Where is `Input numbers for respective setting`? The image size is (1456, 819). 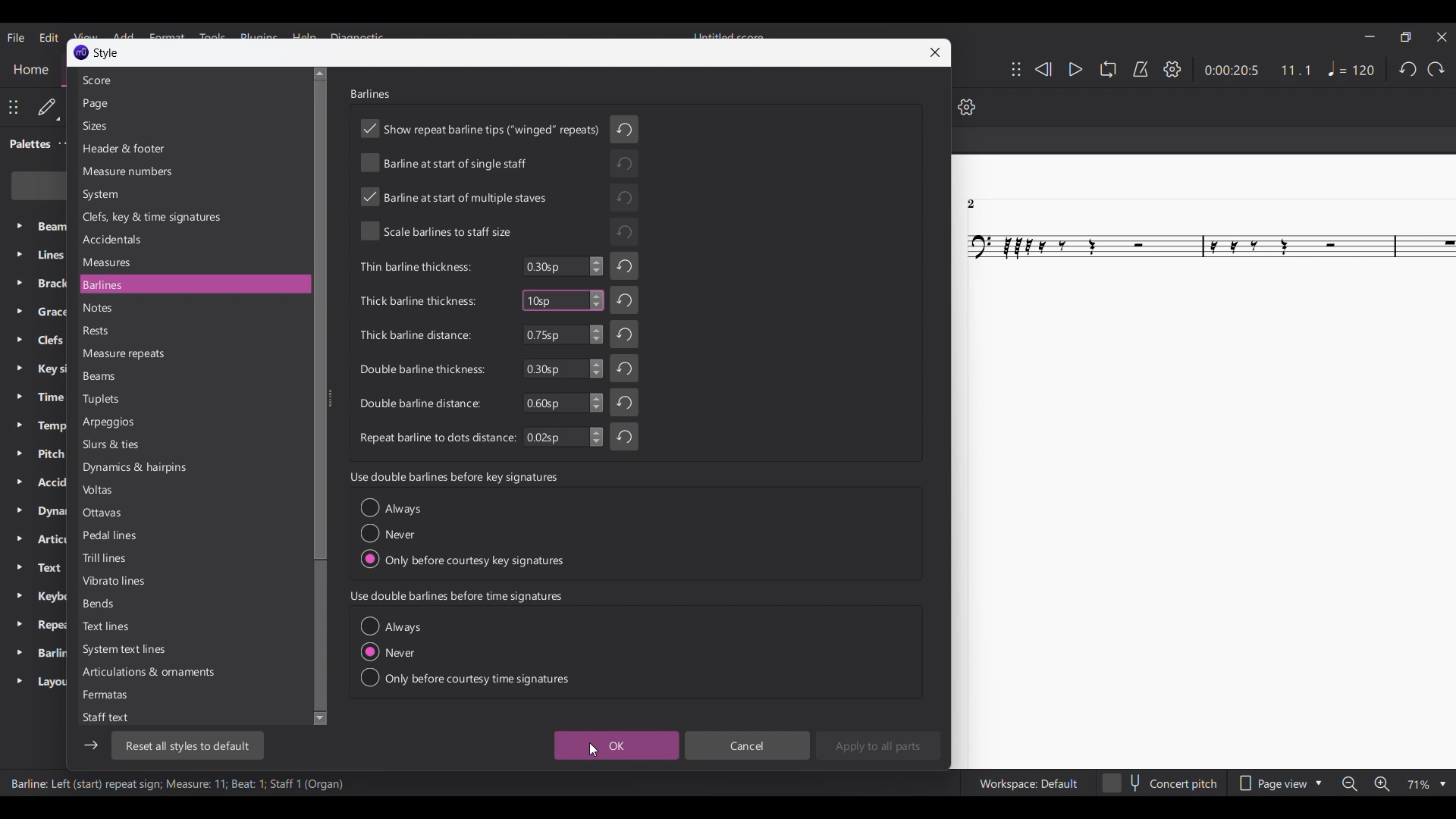 Input numbers for respective setting is located at coordinates (563, 352).